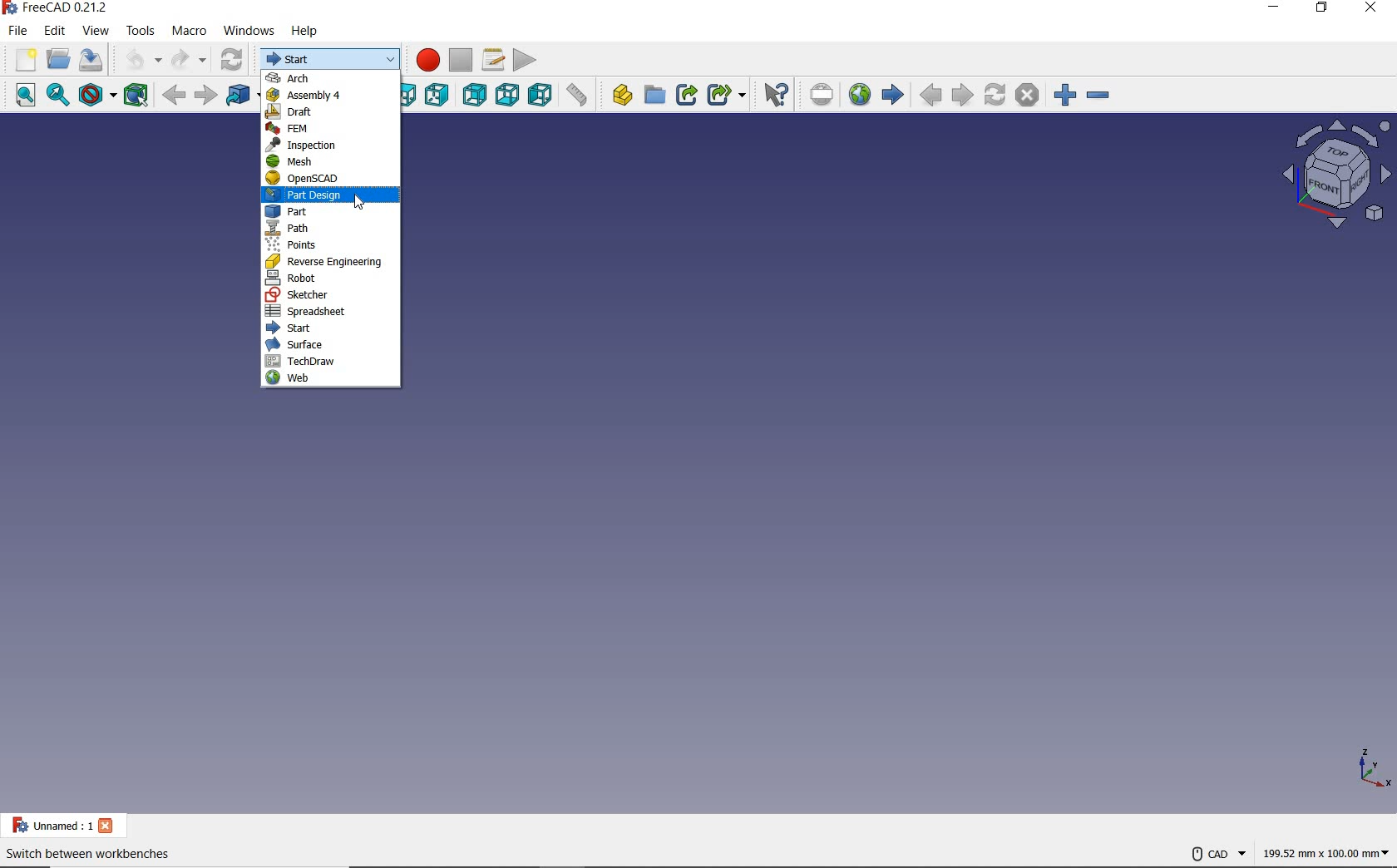  Describe the element at coordinates (1326, 852) in the screenshot. I see `dimensions` at that location.